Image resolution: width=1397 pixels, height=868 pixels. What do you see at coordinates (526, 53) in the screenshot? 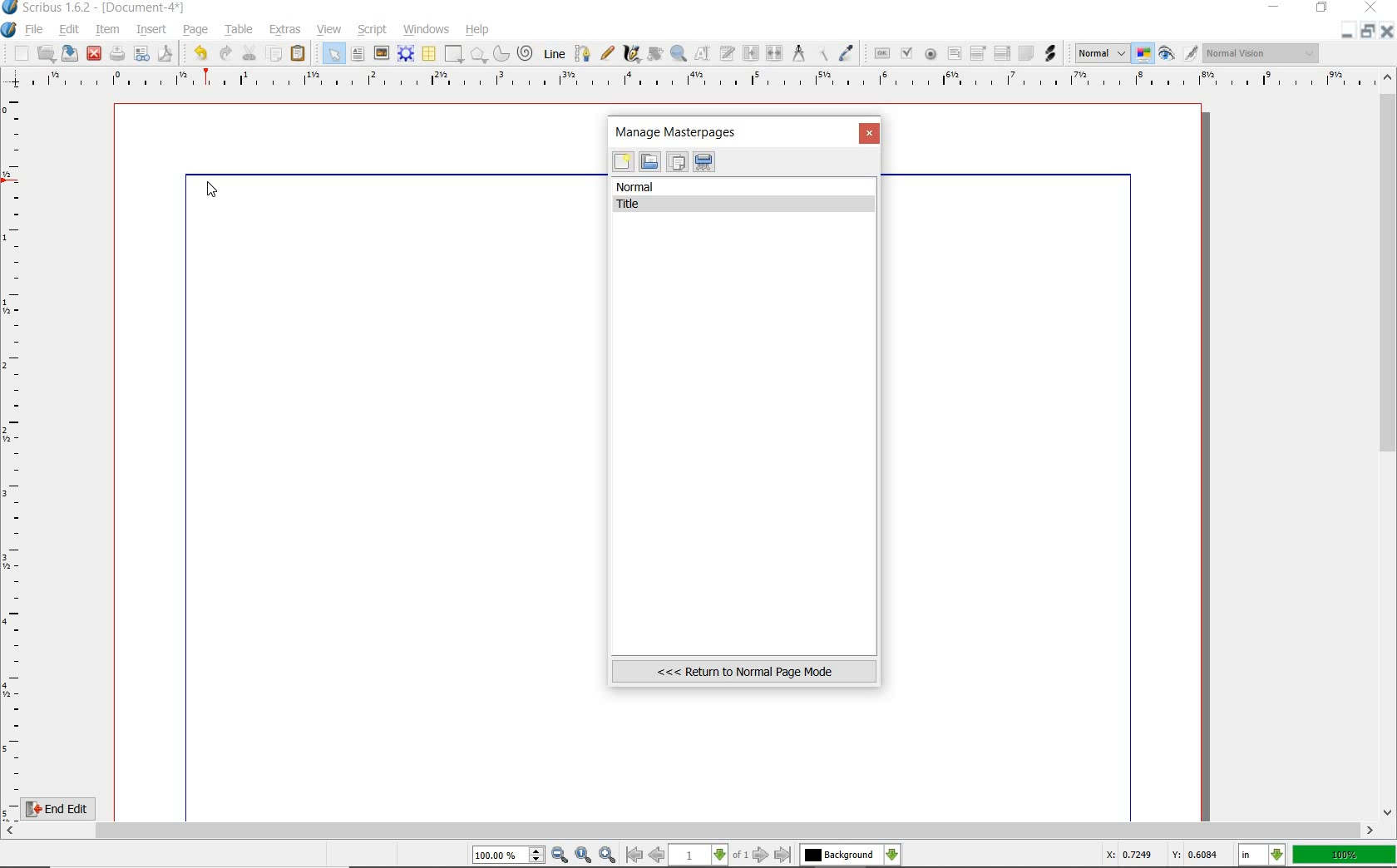
I see `spiral` at bounding box center [526, 53].